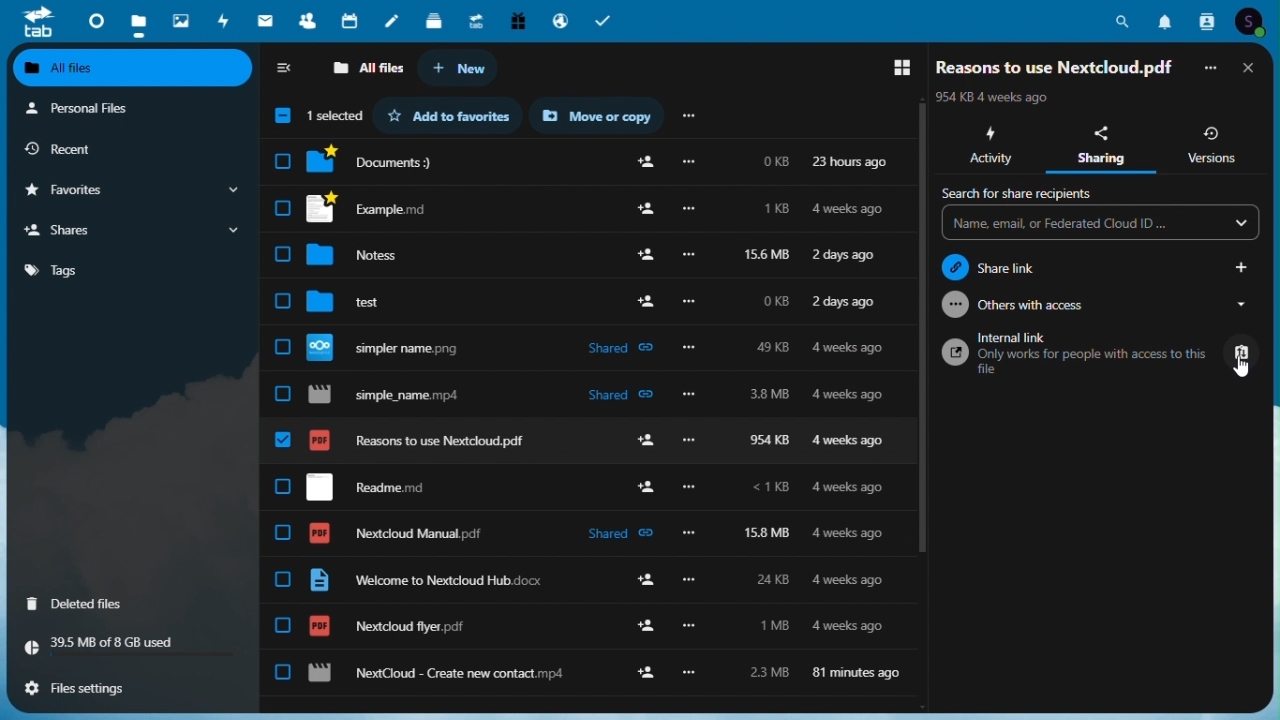 The image size is (1280, 720). What do you see at coordinates (368, 299) in the screenshot?
I see `test` at bounding box center [368, 299].